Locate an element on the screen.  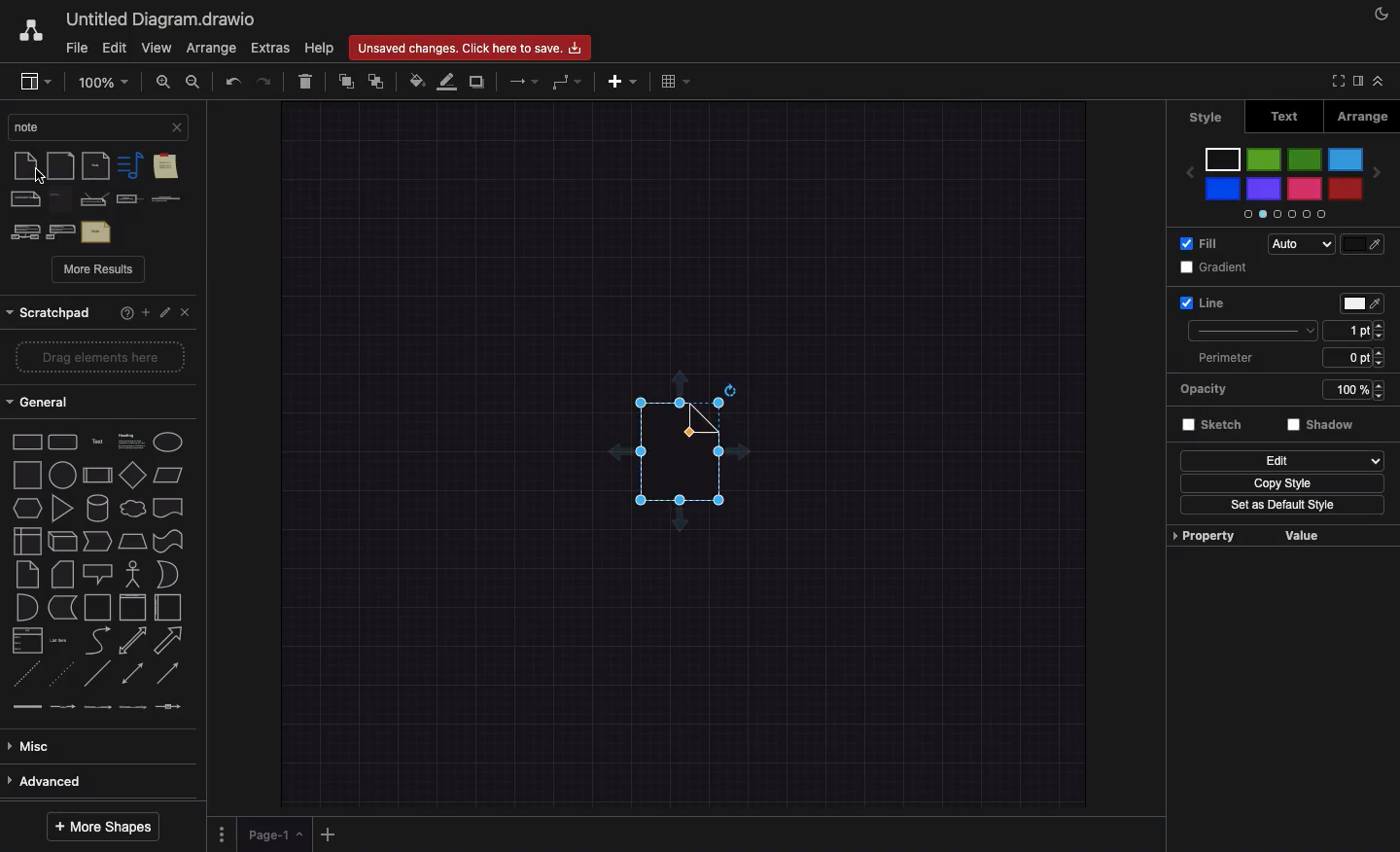
increase perimeter is located at coordinates (1382, 352).